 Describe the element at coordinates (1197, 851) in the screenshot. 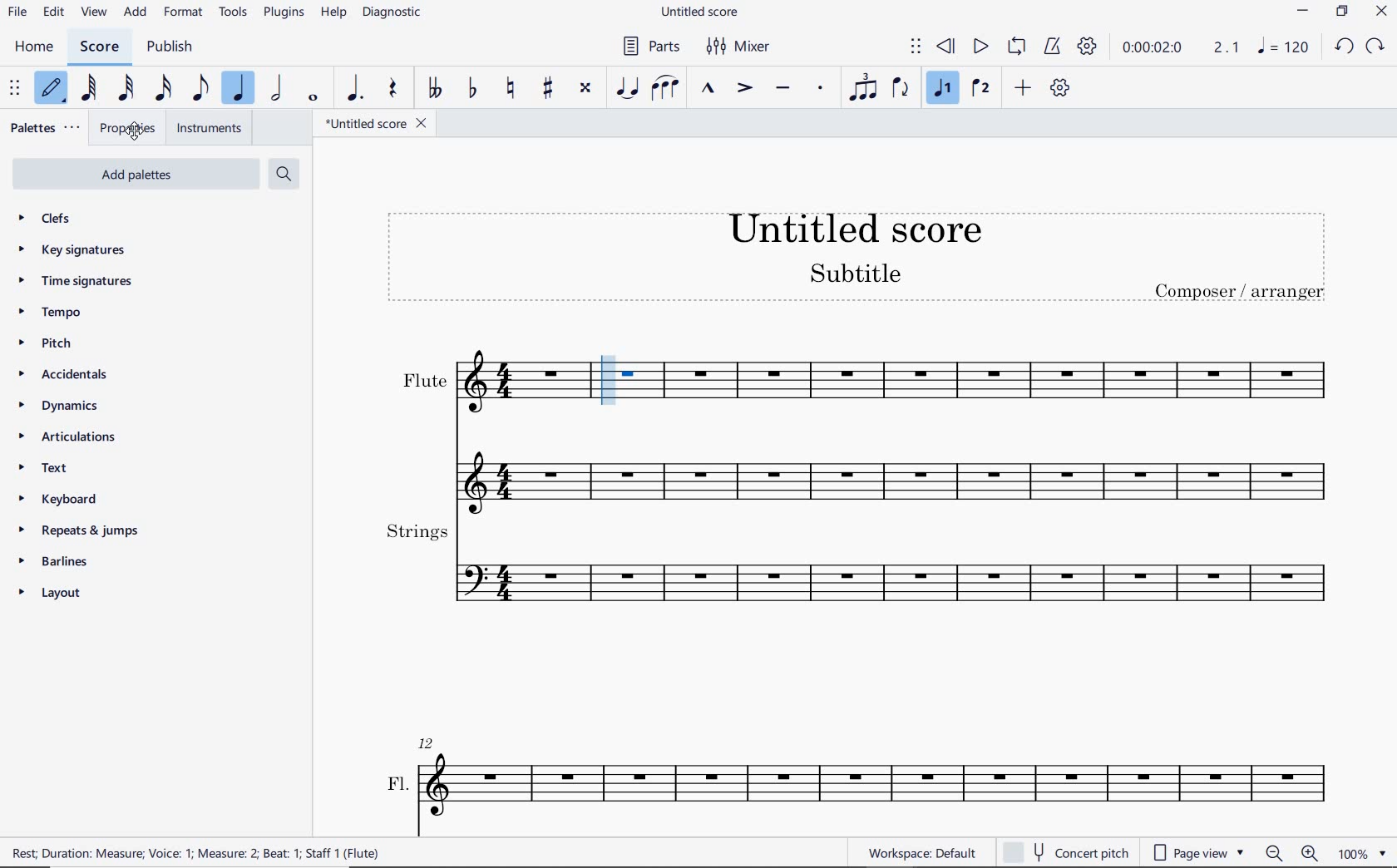

I see `page view` at that location.